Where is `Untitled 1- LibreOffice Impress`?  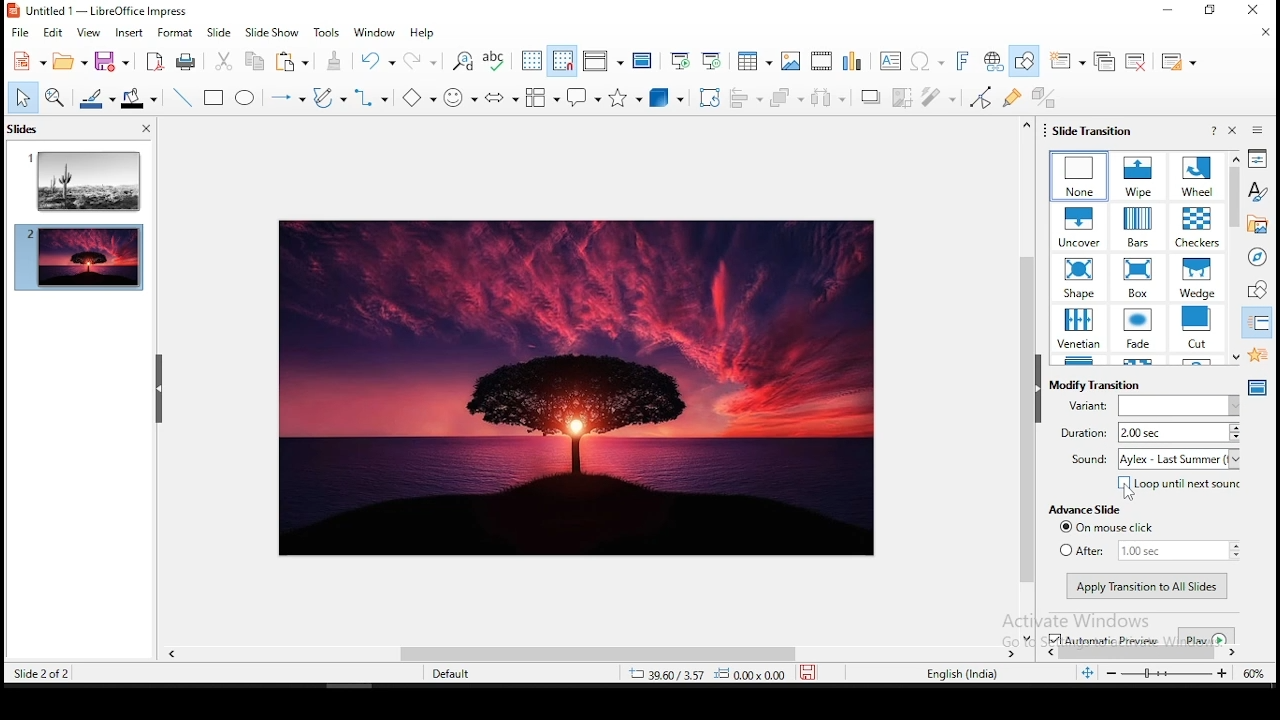
Untitled 1- LibreOffice Impress is located at coordinates (98, 10).